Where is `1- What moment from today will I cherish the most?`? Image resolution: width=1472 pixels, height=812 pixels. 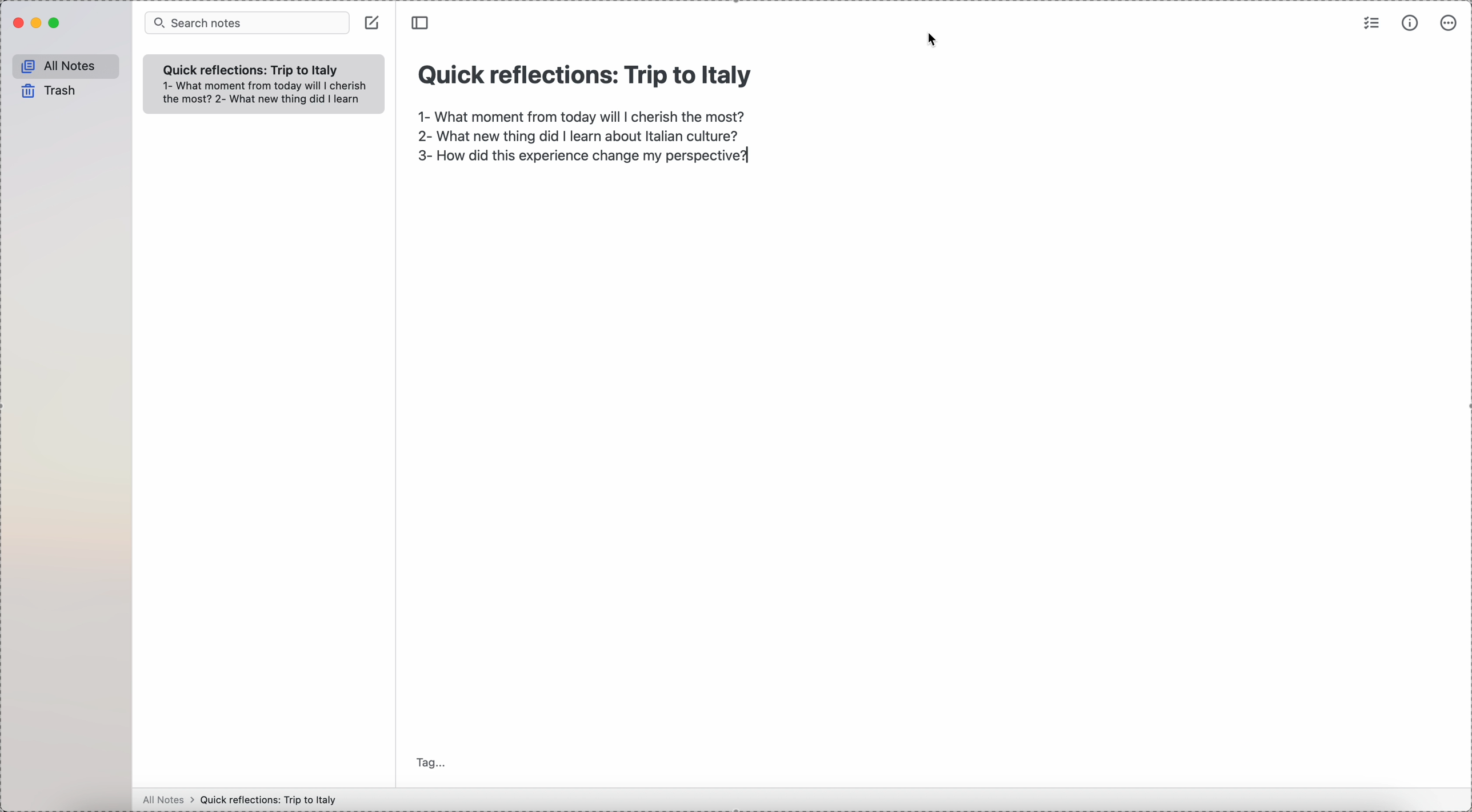 1- What moment from today will I cherish the most? is located at coordinates (270, 85).